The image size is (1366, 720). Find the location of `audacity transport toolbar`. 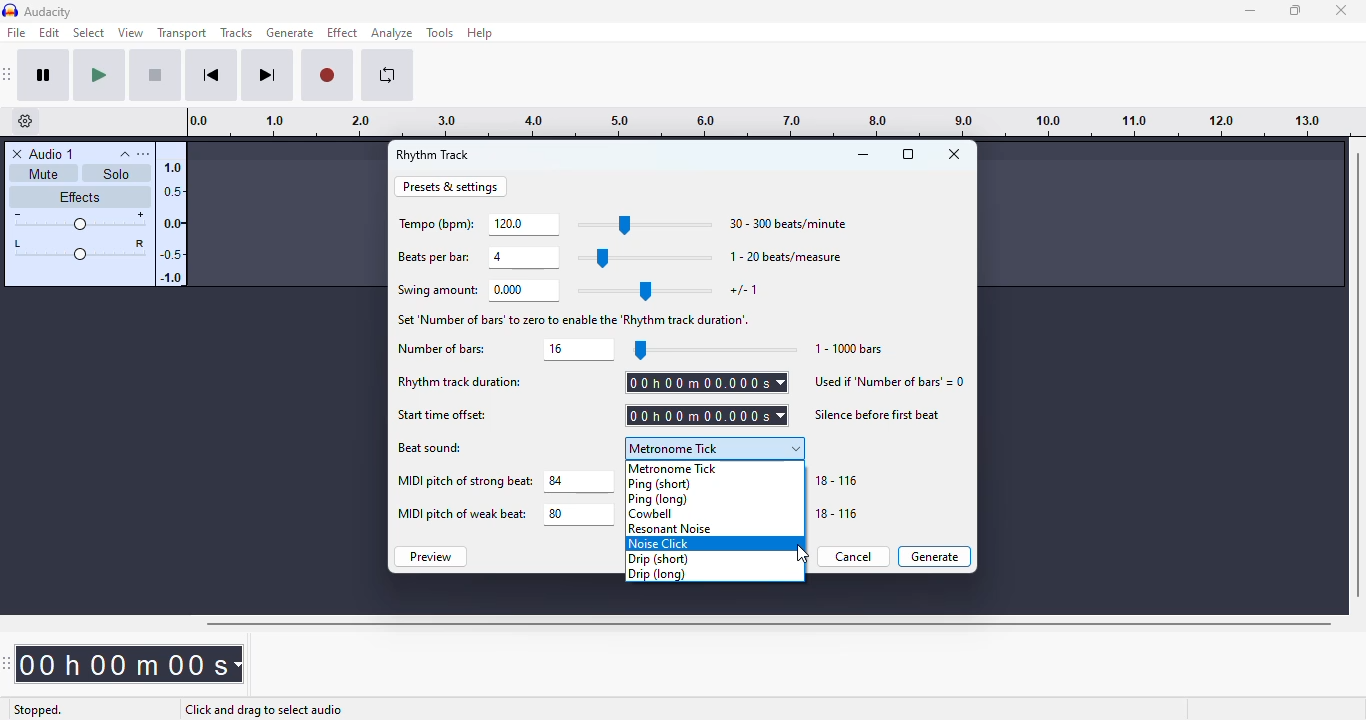

audacity transport toolbar is located at coordinates (8, 75).